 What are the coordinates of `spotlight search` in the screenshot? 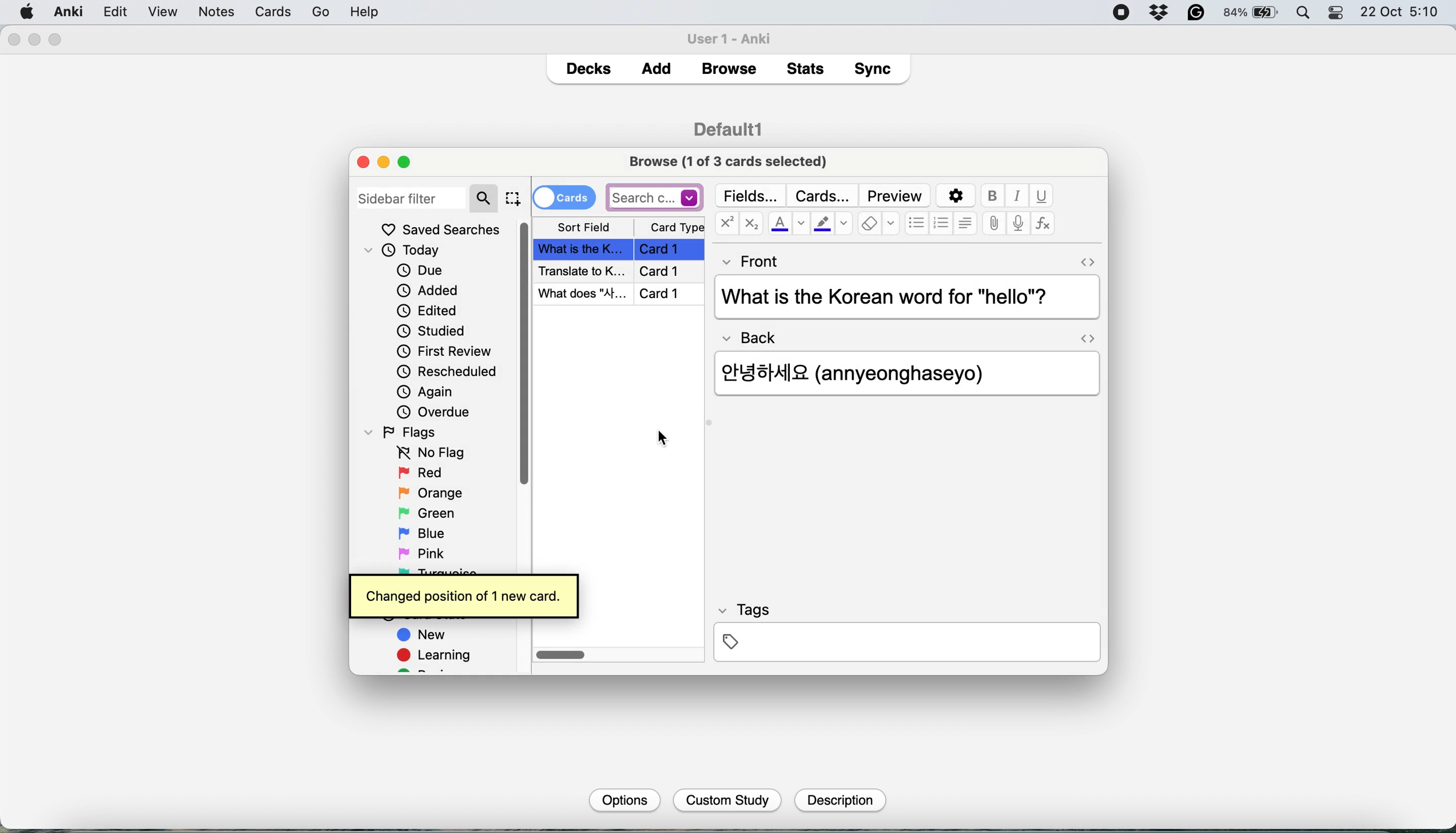 It's located at (1306, 14).